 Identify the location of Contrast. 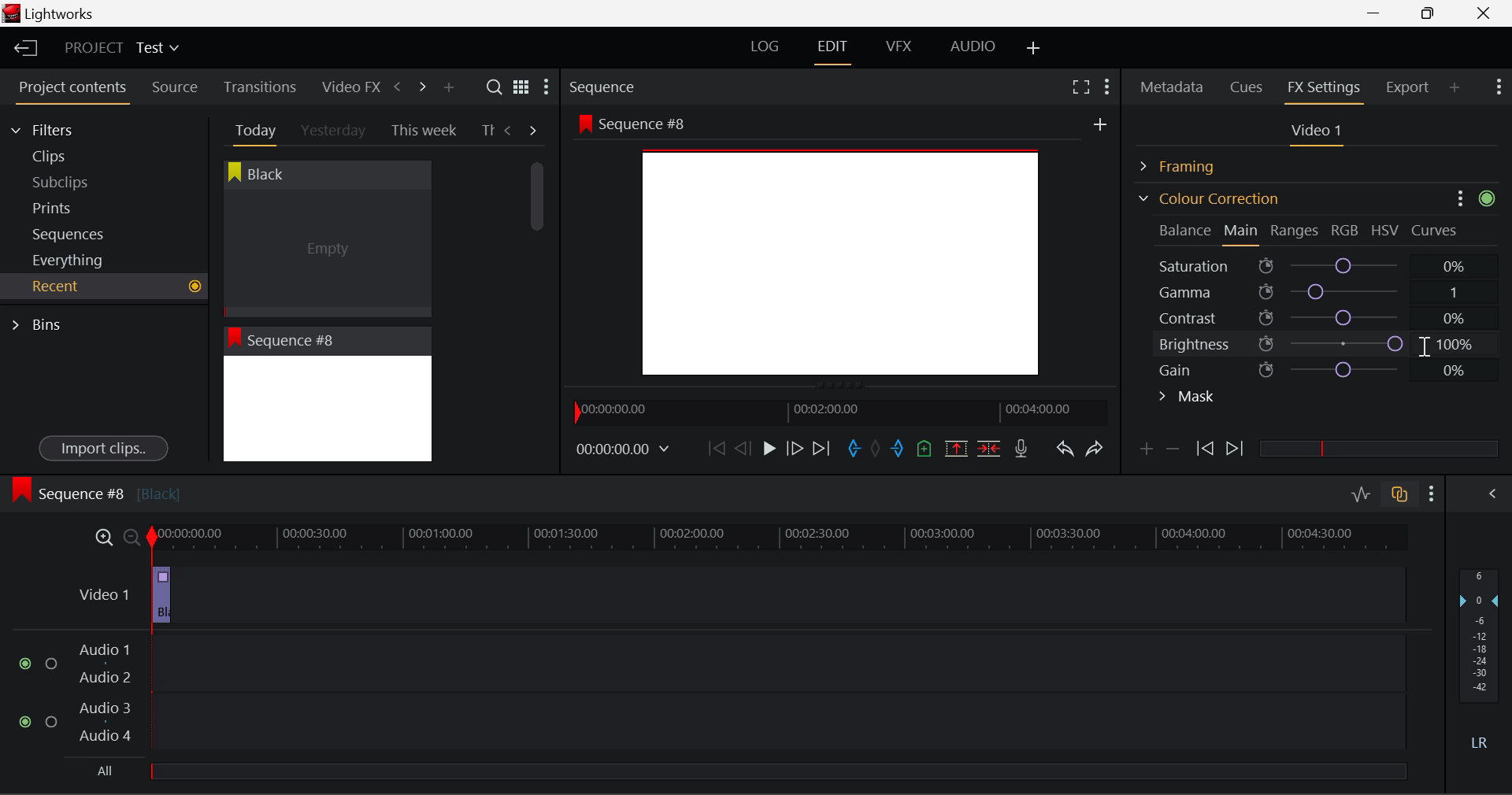
(1318, 317).